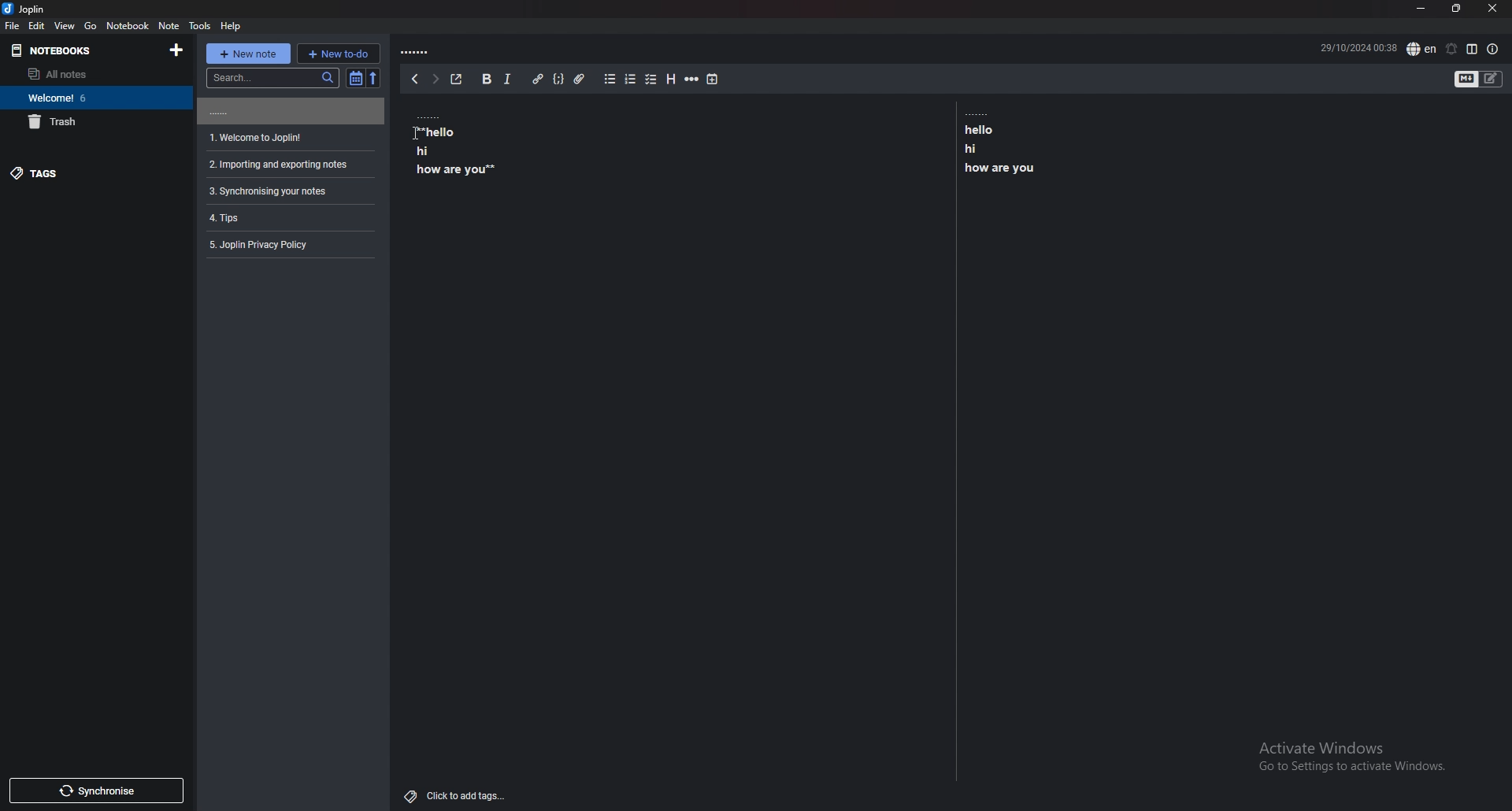  Describe the element at coordinates (288, 111) in the screenshot. I see `note` at that location.